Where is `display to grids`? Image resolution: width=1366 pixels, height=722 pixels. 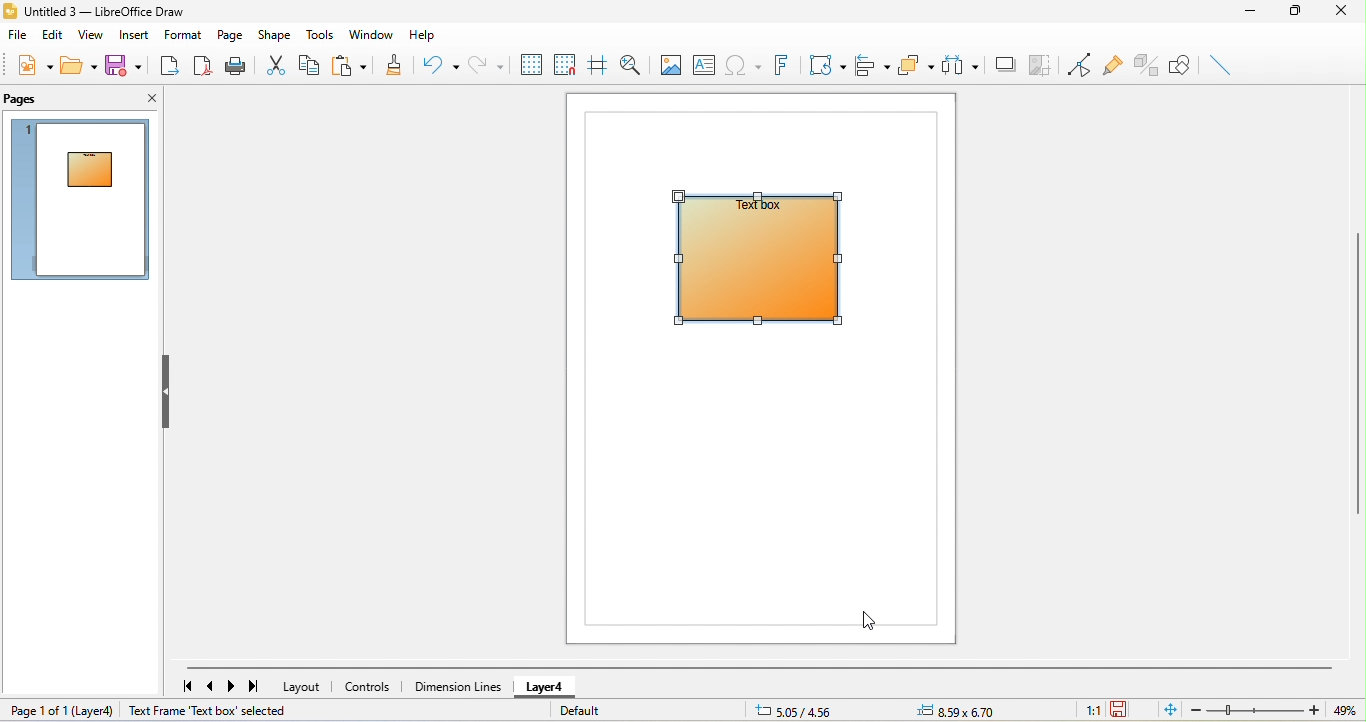 display to grids is located at coordinates (532, 63).